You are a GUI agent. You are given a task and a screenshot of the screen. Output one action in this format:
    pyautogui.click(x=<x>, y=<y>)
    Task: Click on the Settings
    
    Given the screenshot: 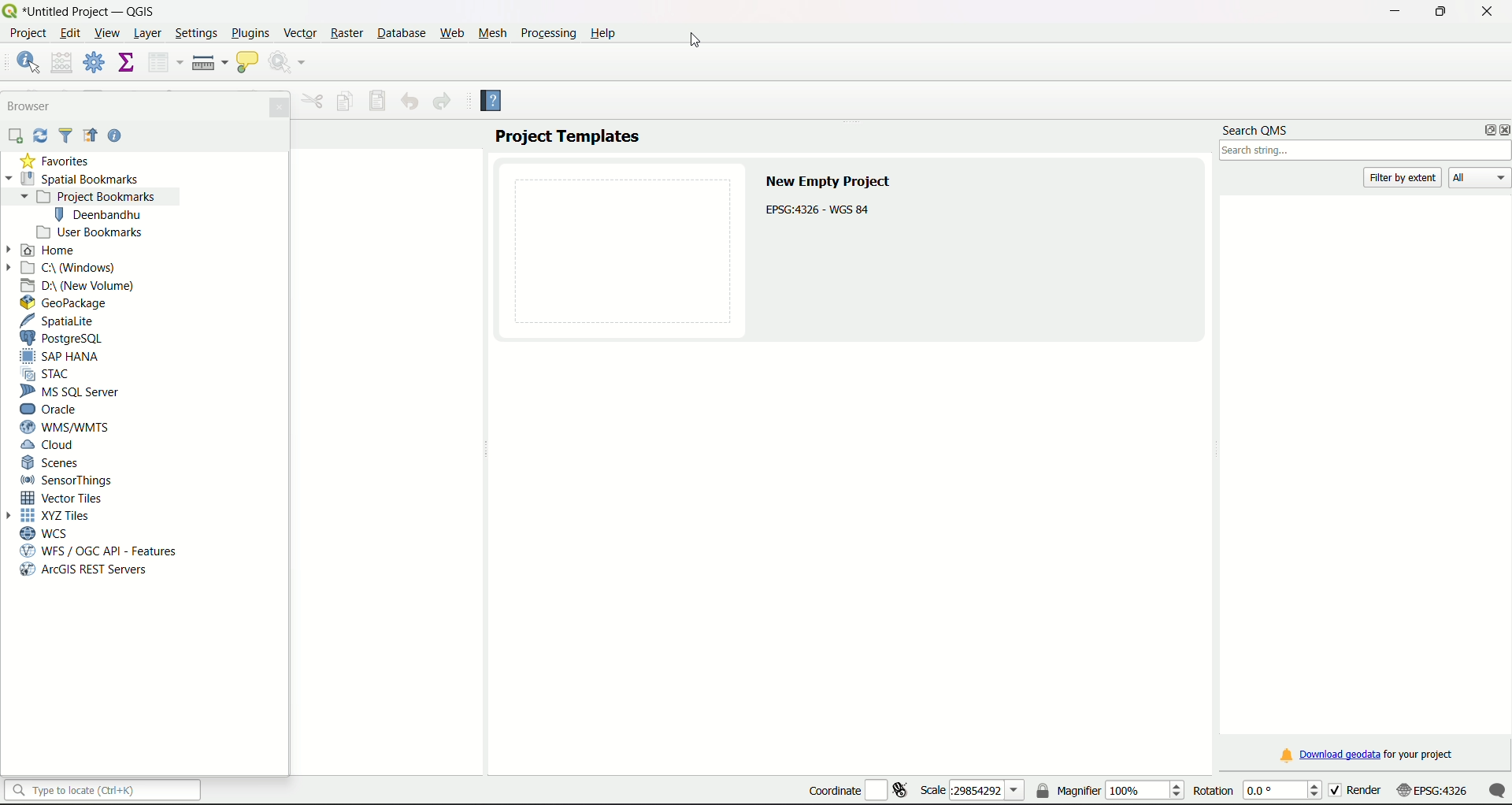 What is the action you would take?
    pyautogui.click(x=197, y=35)
    